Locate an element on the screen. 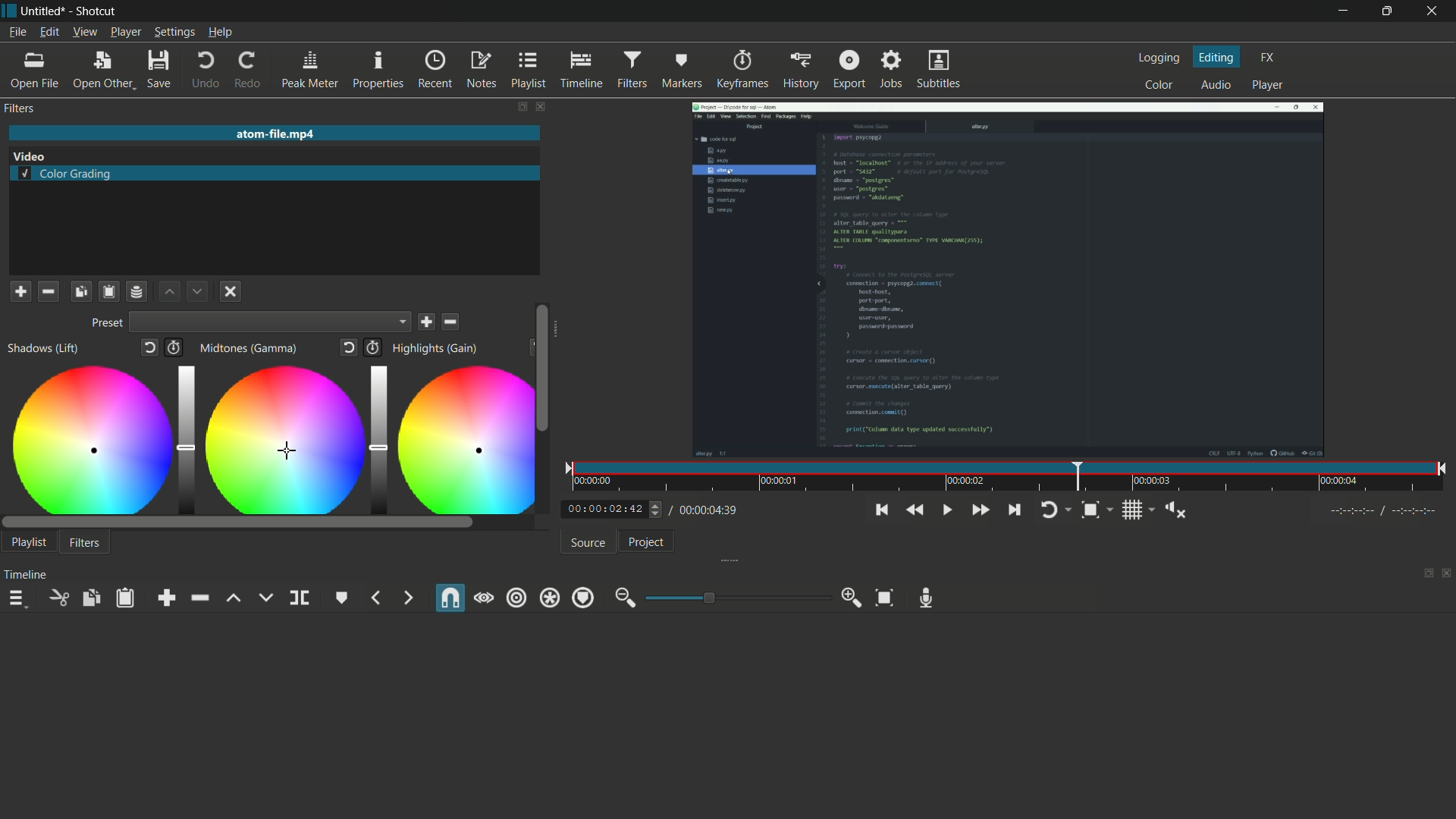 The image size is (1456, 819). lift is located at coordinates (233, 598).